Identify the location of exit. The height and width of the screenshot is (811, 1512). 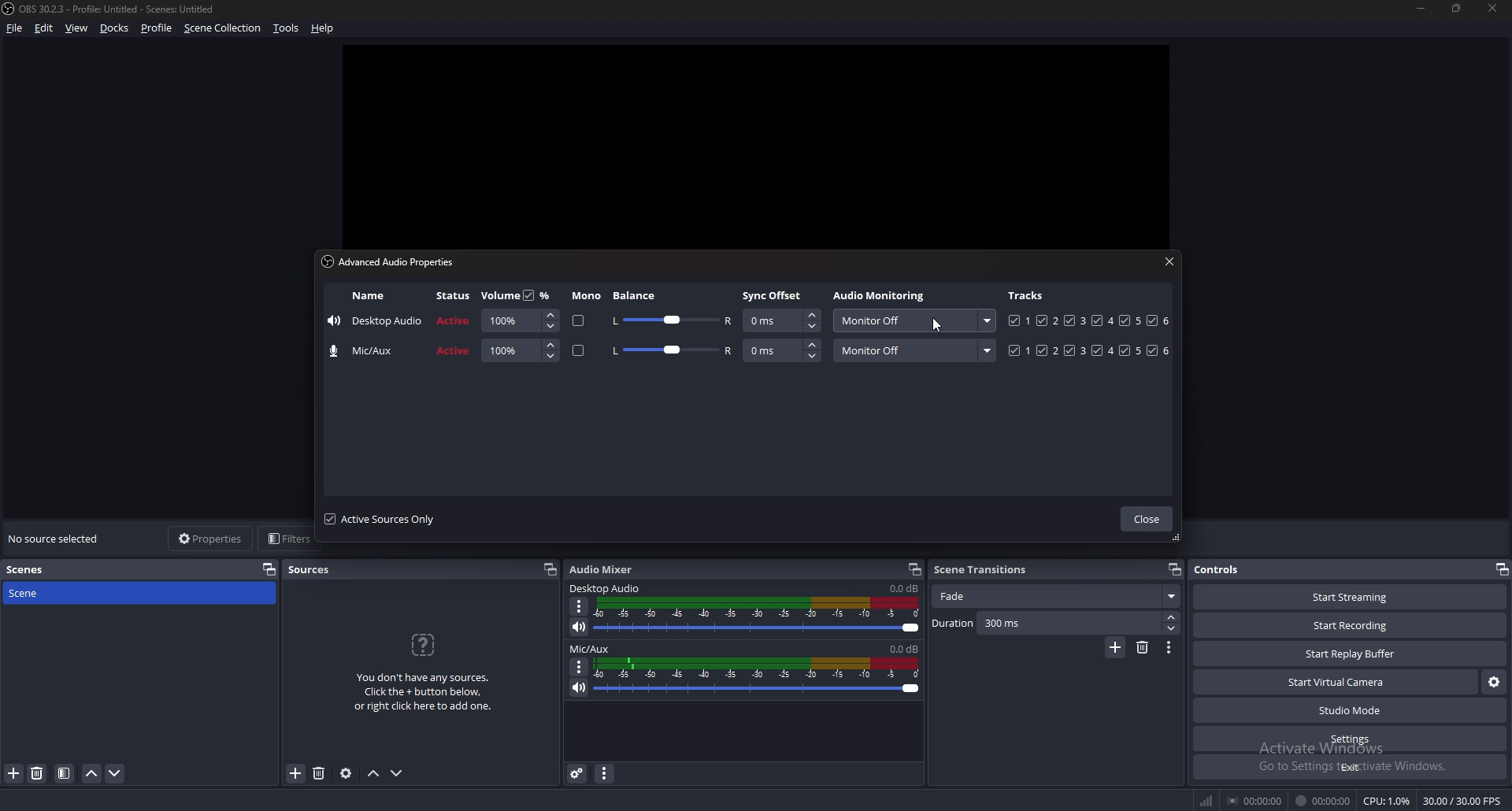
(1348, 767).